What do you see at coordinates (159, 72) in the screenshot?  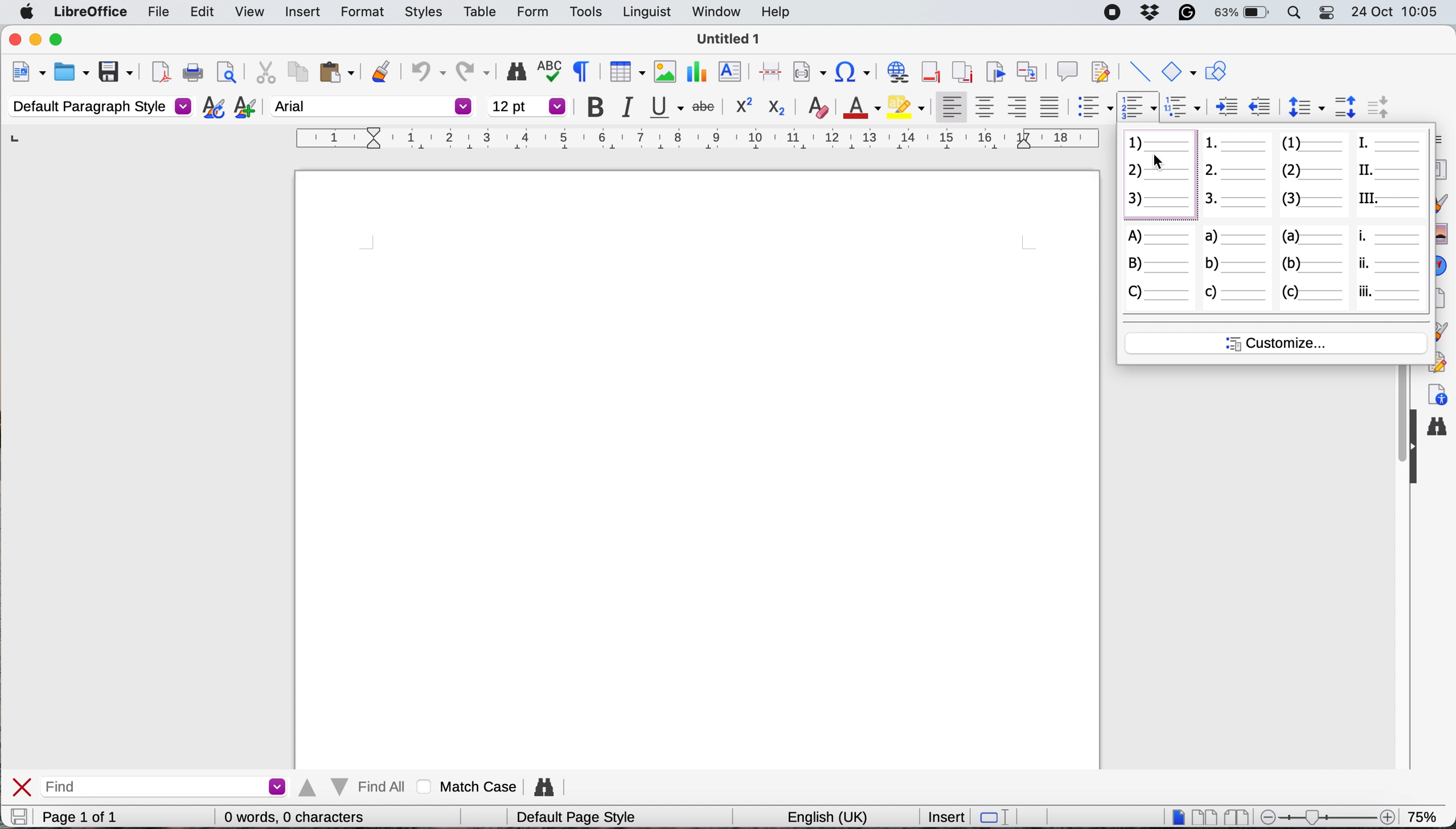 I see `export directly as pdf` at bounding box center [159, 72].